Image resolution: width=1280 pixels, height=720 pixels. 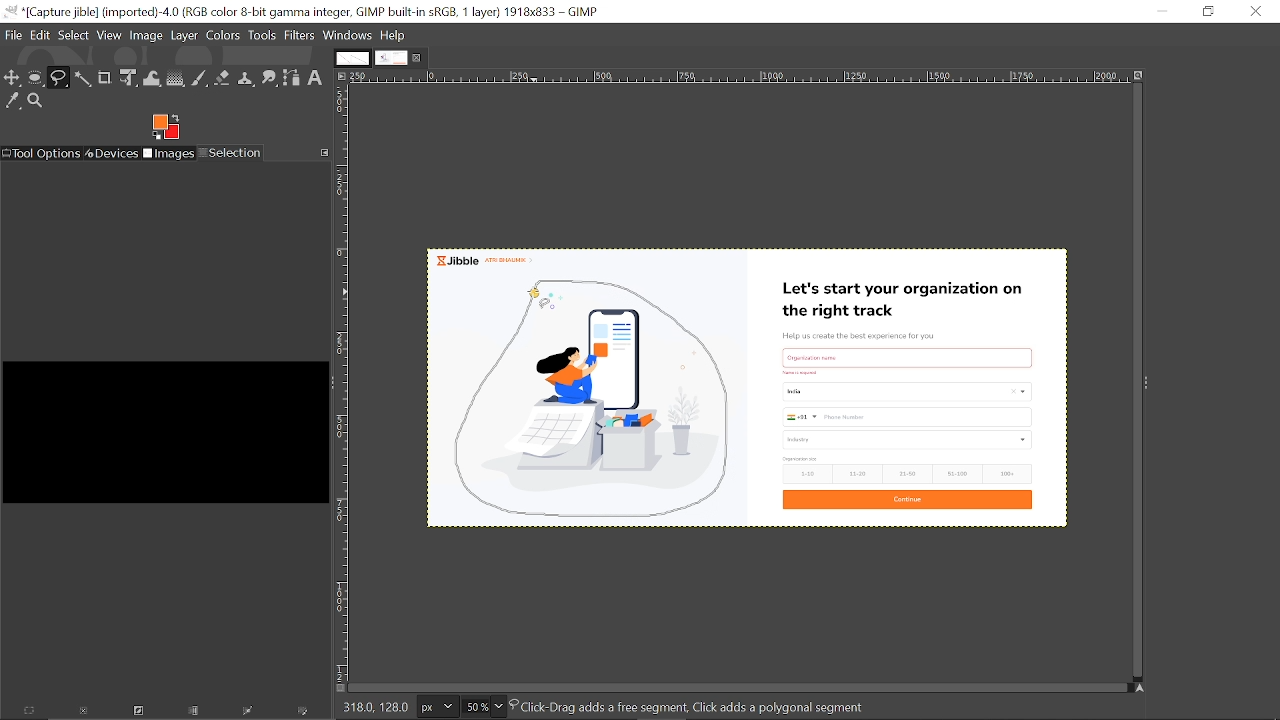 I want to click on Fuzzy text tool, so click(x=83, y=78).